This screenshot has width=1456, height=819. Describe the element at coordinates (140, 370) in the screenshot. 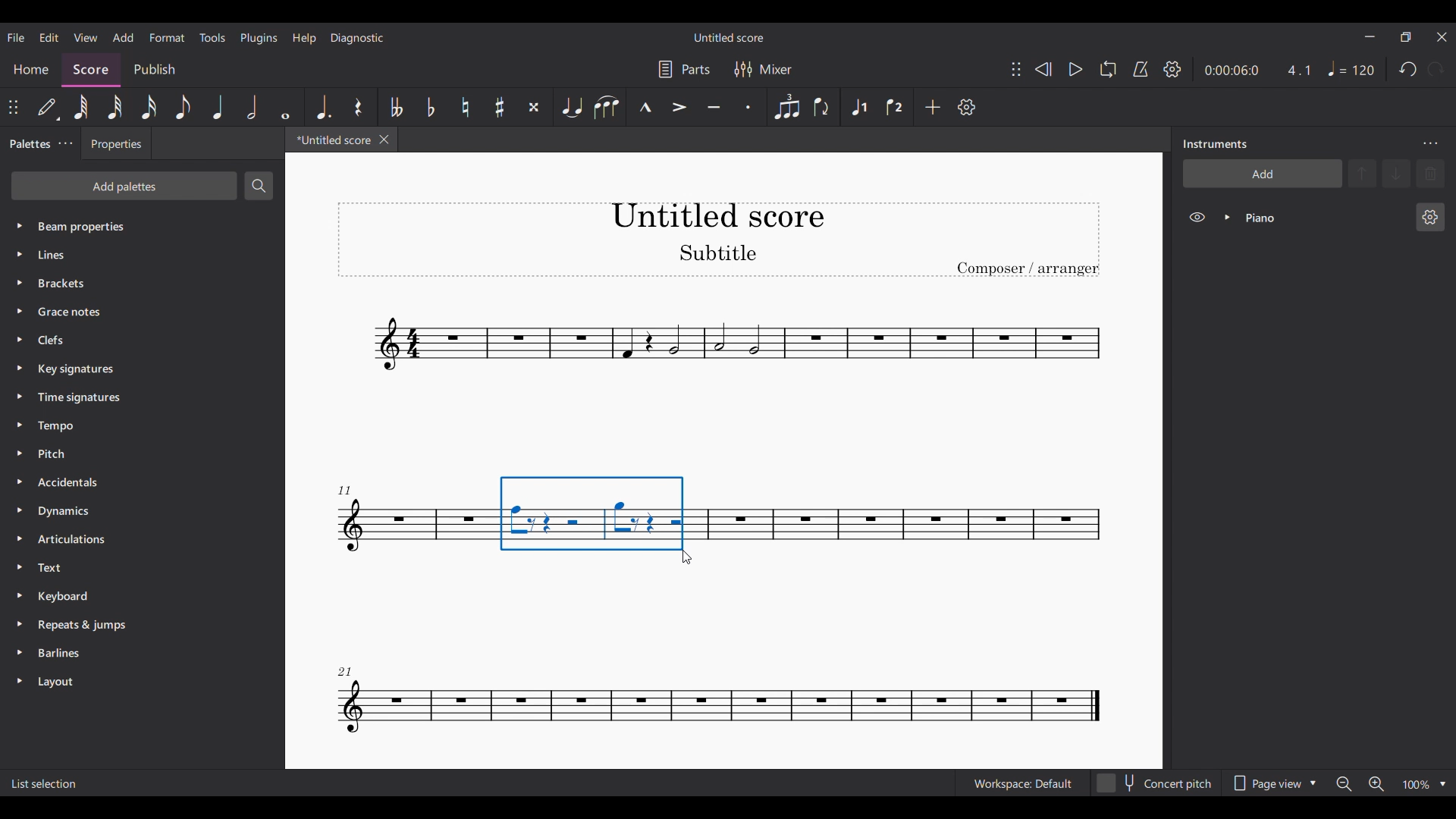

I see `Key signatures` at that location.